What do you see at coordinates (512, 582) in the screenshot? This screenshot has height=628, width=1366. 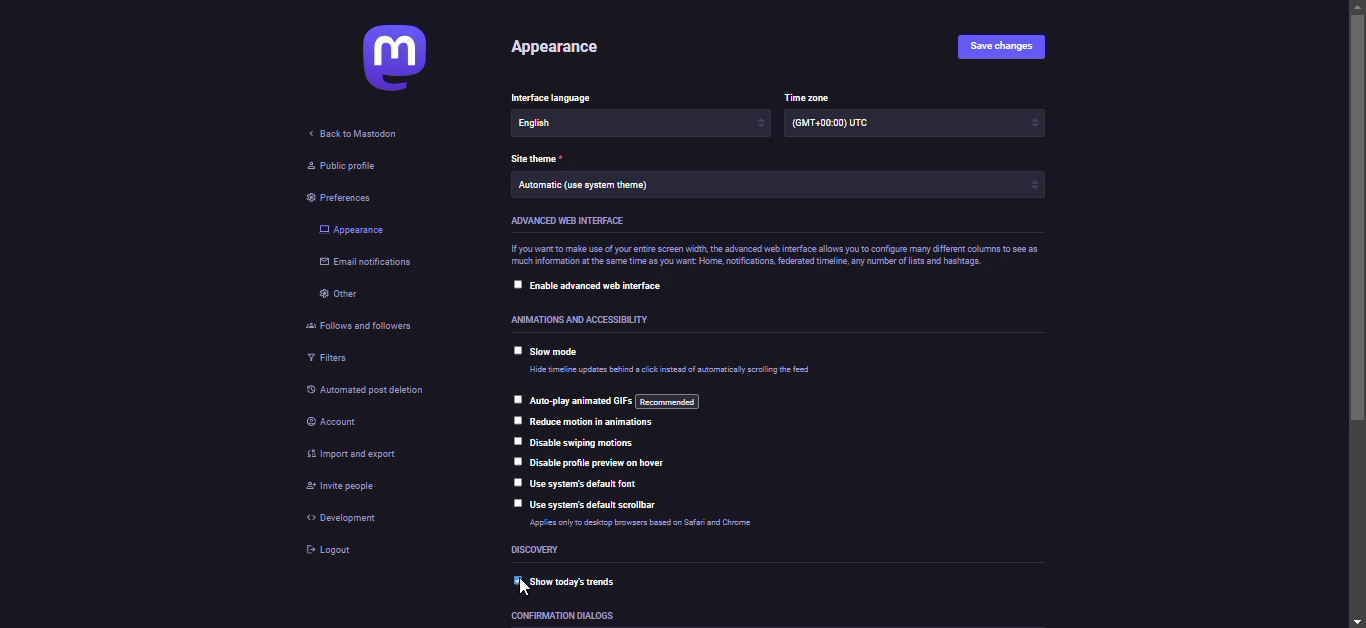 I see `click to disable` at bounding box center [512, 582].